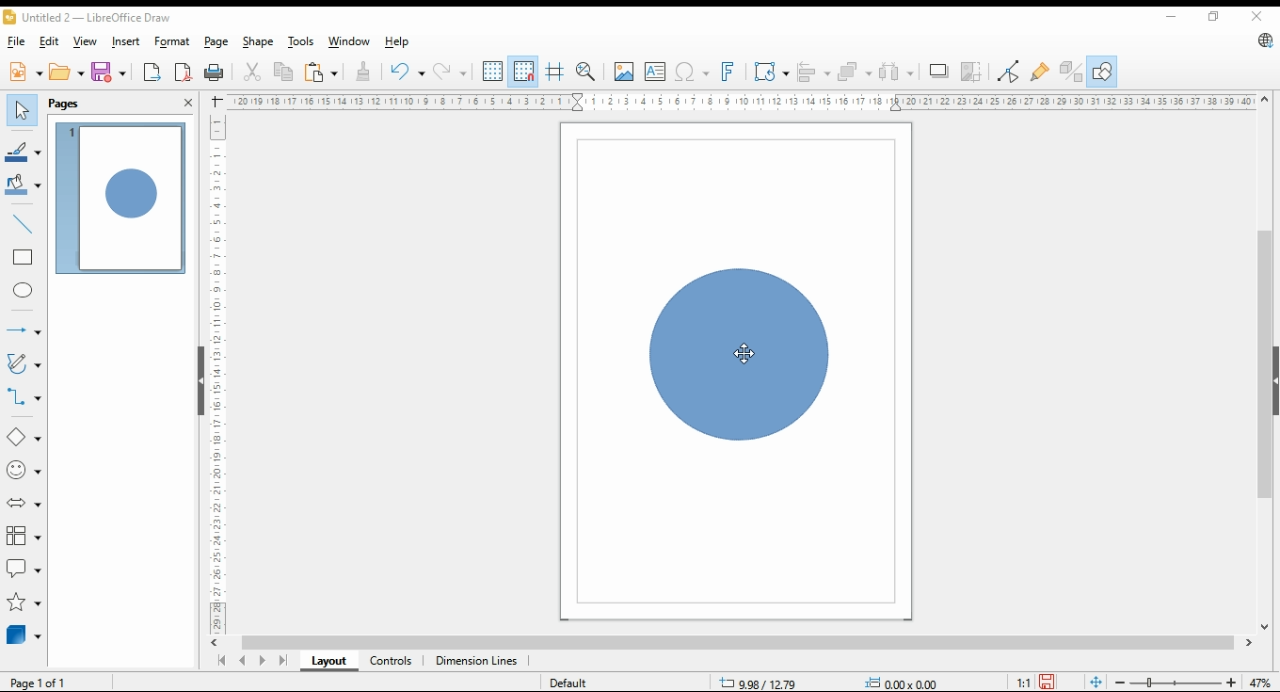 Image resolution: width=1280 pixels, height=692 pixels. What do you see at coordinates (400, 42) in the screenshot?
I see `help` at bounding box center [400, 42].